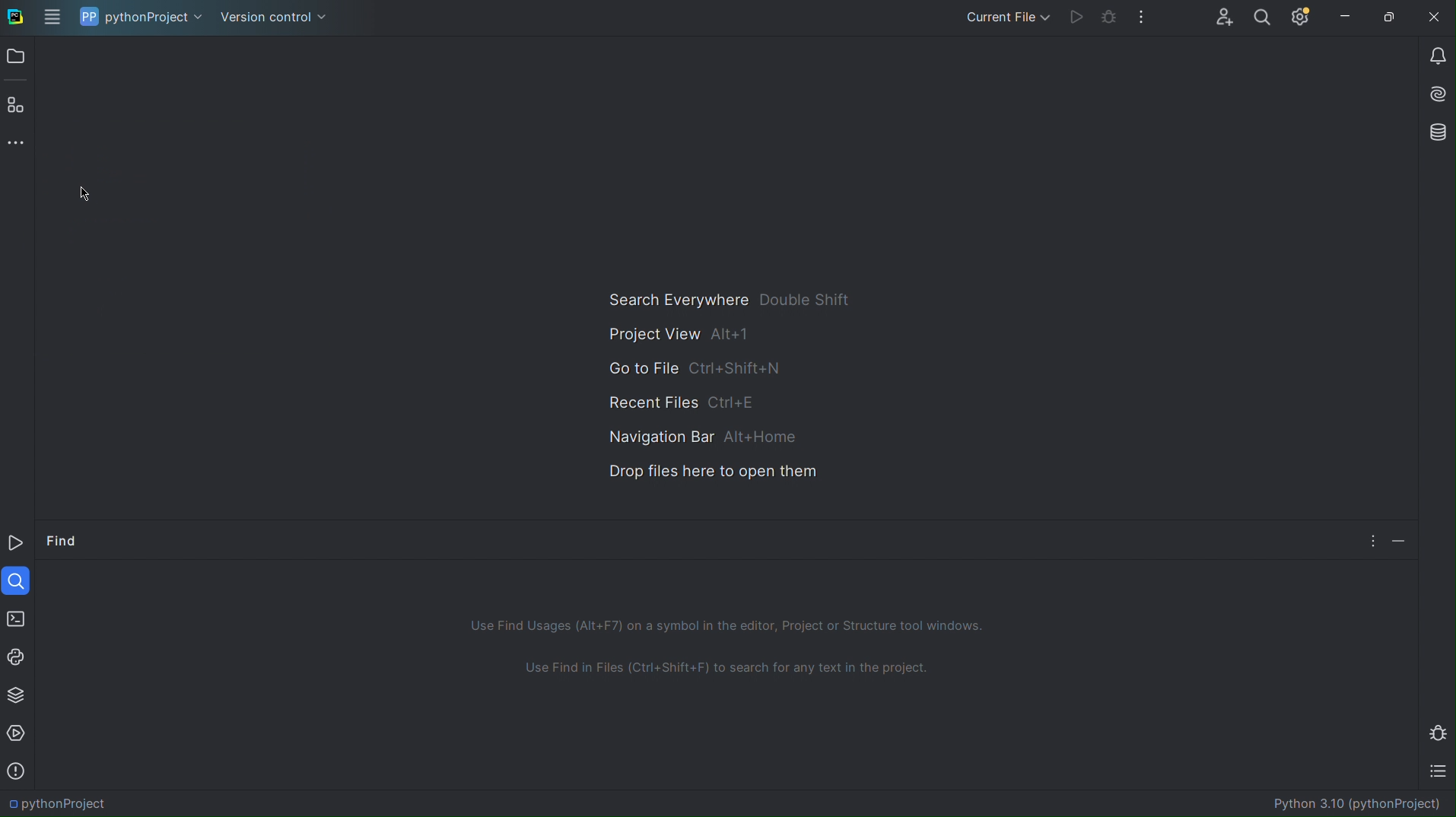 The image size is (1456, 817). I want to click on Go to File, so click(698, 366).